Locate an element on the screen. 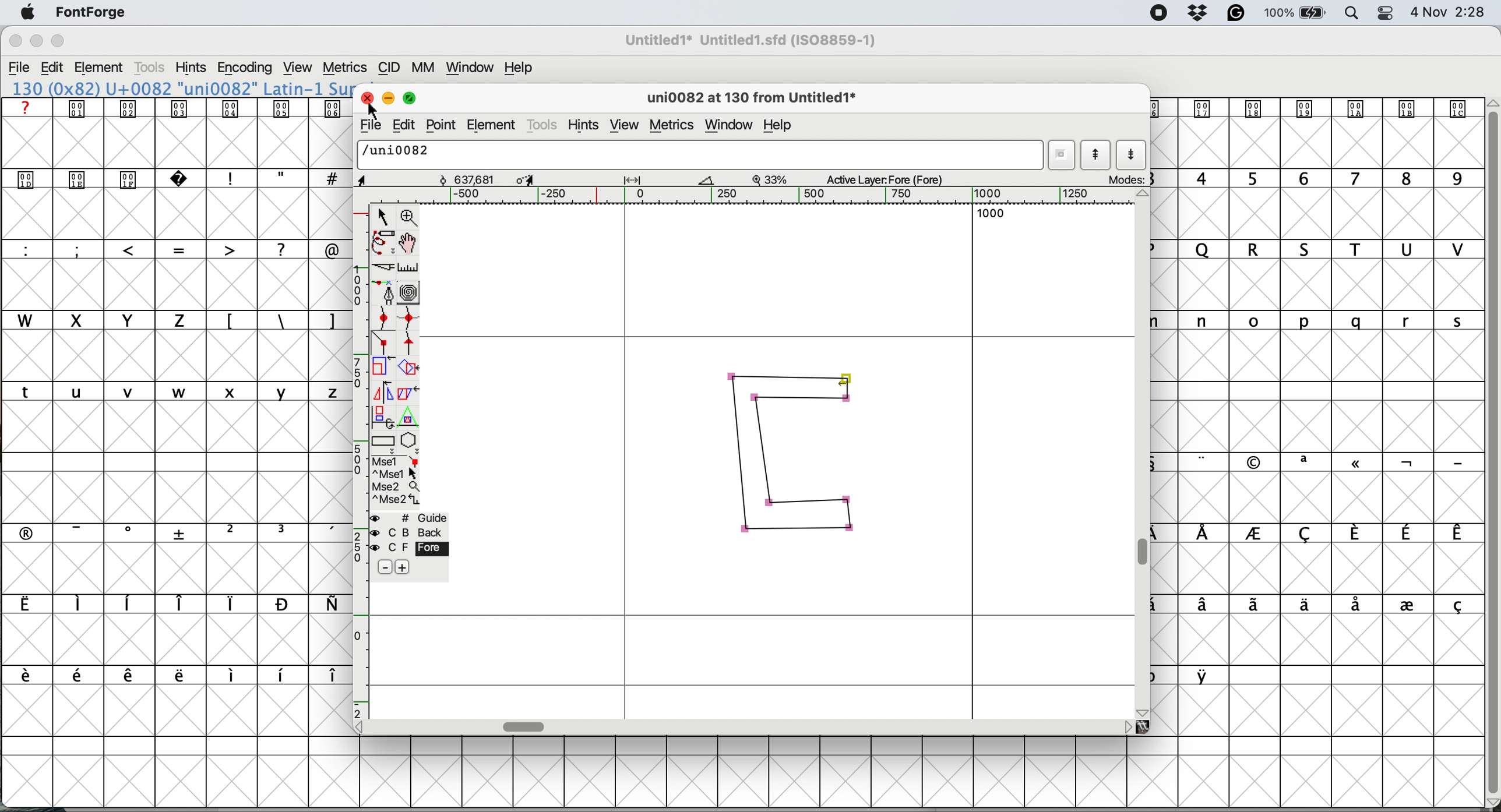 This screenshot has width=1501, height=812. glyph name is located at coordinates (697, 154).